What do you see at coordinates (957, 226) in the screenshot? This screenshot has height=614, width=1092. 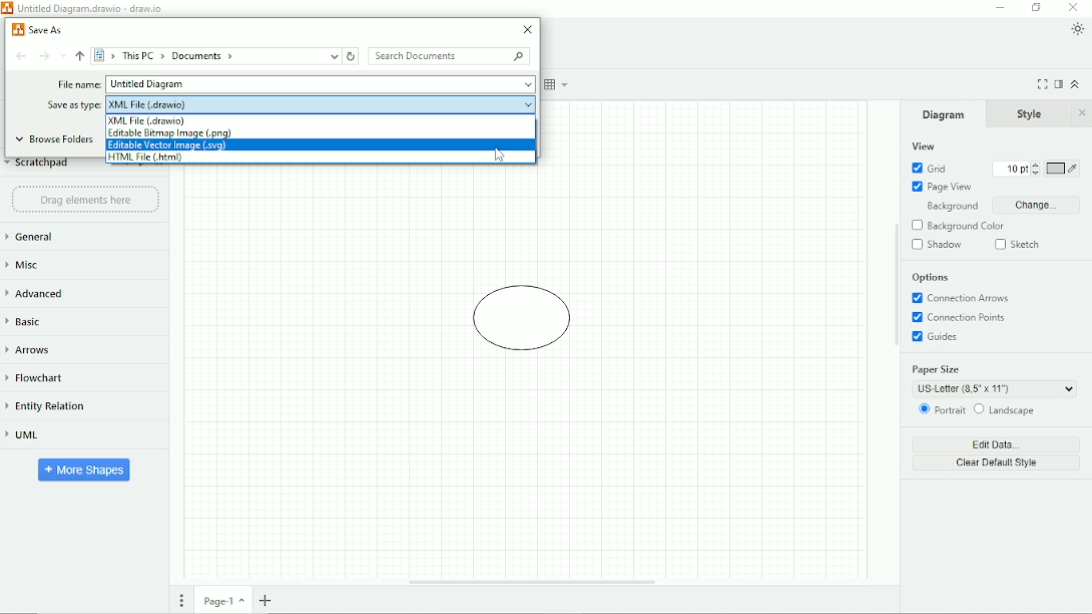 I see `Background Color` at bounding box center [957, 226].